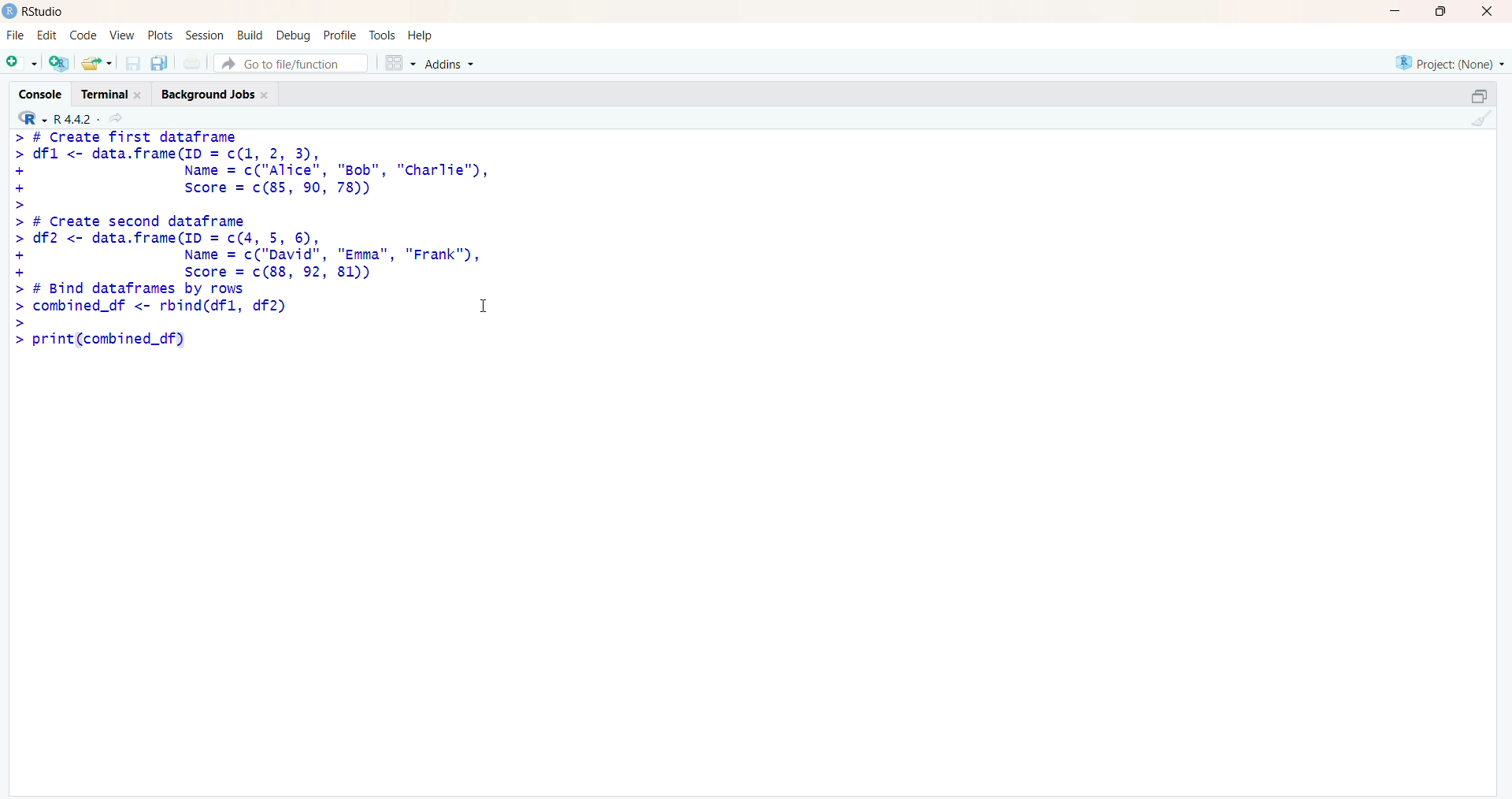 The width and height of the screenshot is (1512, 799). What do you see at coordinates (57, 117) in the screenshot?
I see ` R 4.4.2 ` at bounding box center [57, 117].